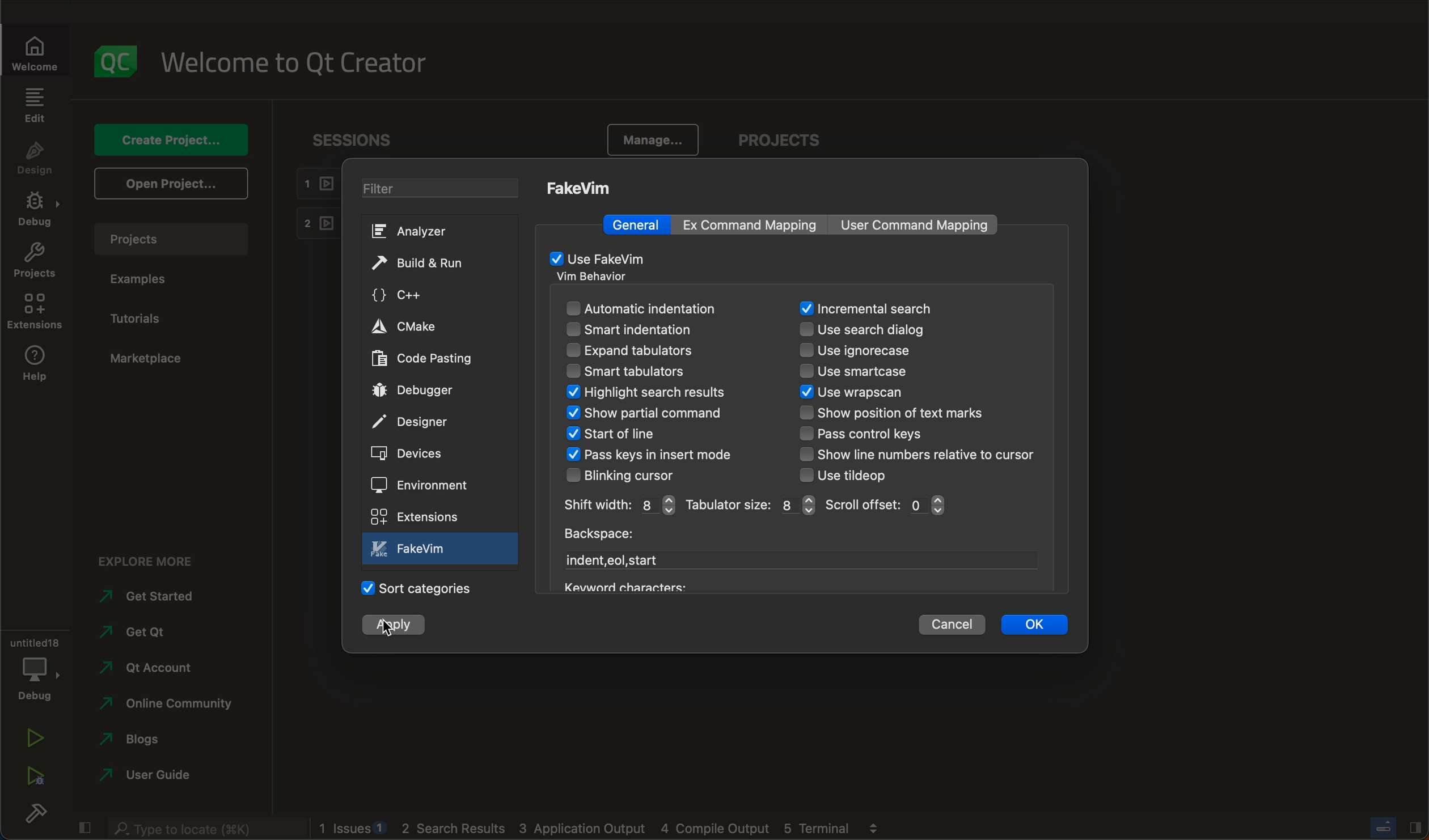  Describe the element at coordinates (866, 309) in the screenshot. I see `search` at that location.